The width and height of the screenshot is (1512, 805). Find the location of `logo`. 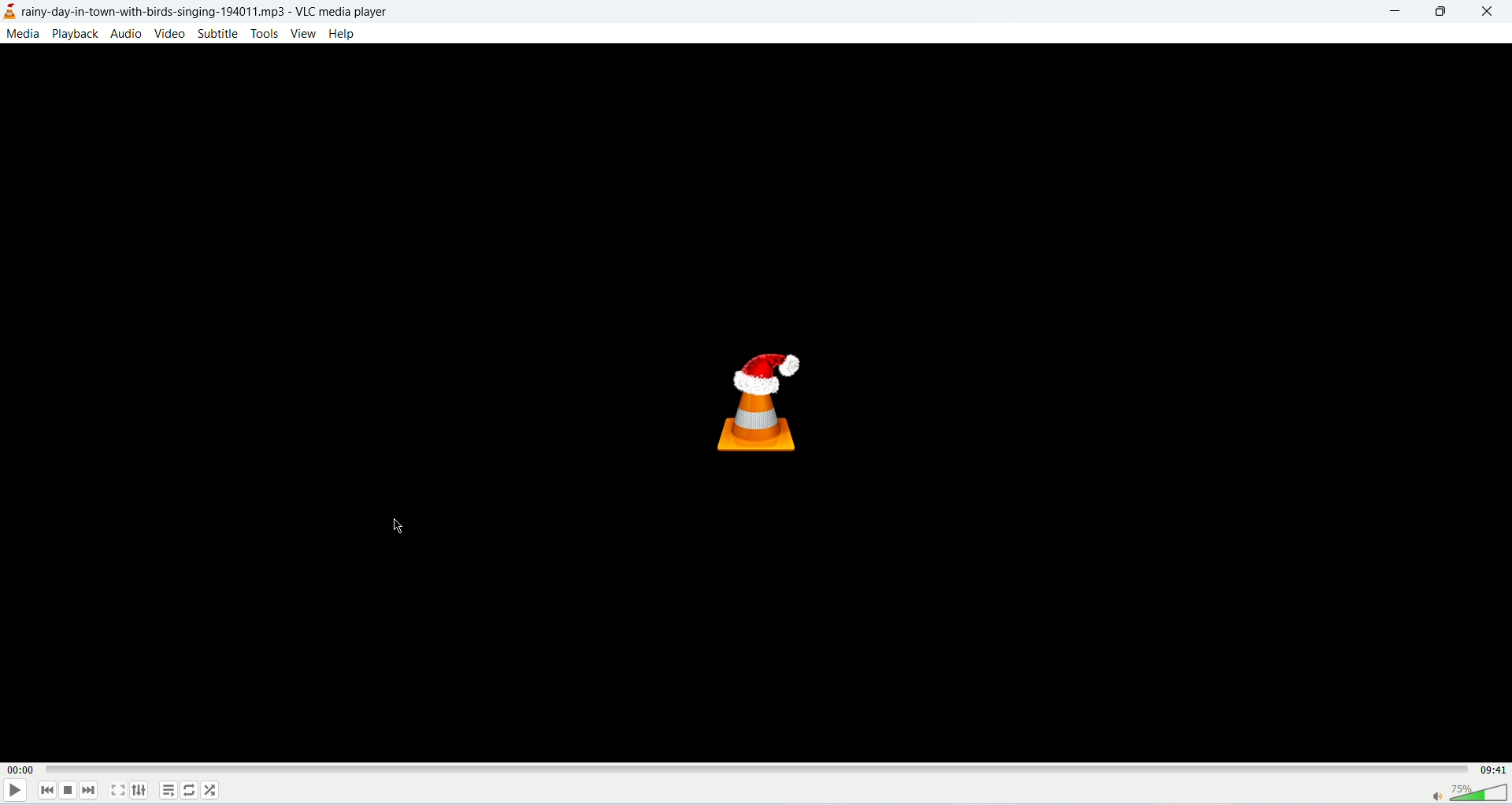

logo is located at coordinates (9, 11).